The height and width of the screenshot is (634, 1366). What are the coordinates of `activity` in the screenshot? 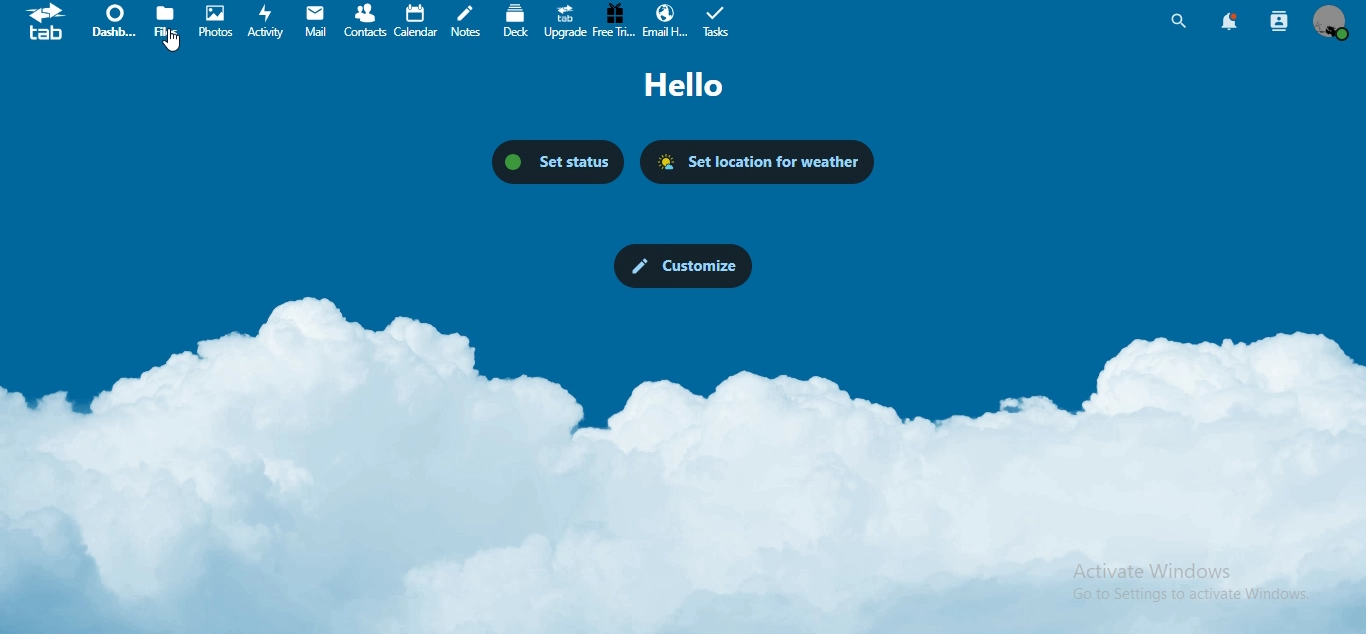 It's located at (267, 20).